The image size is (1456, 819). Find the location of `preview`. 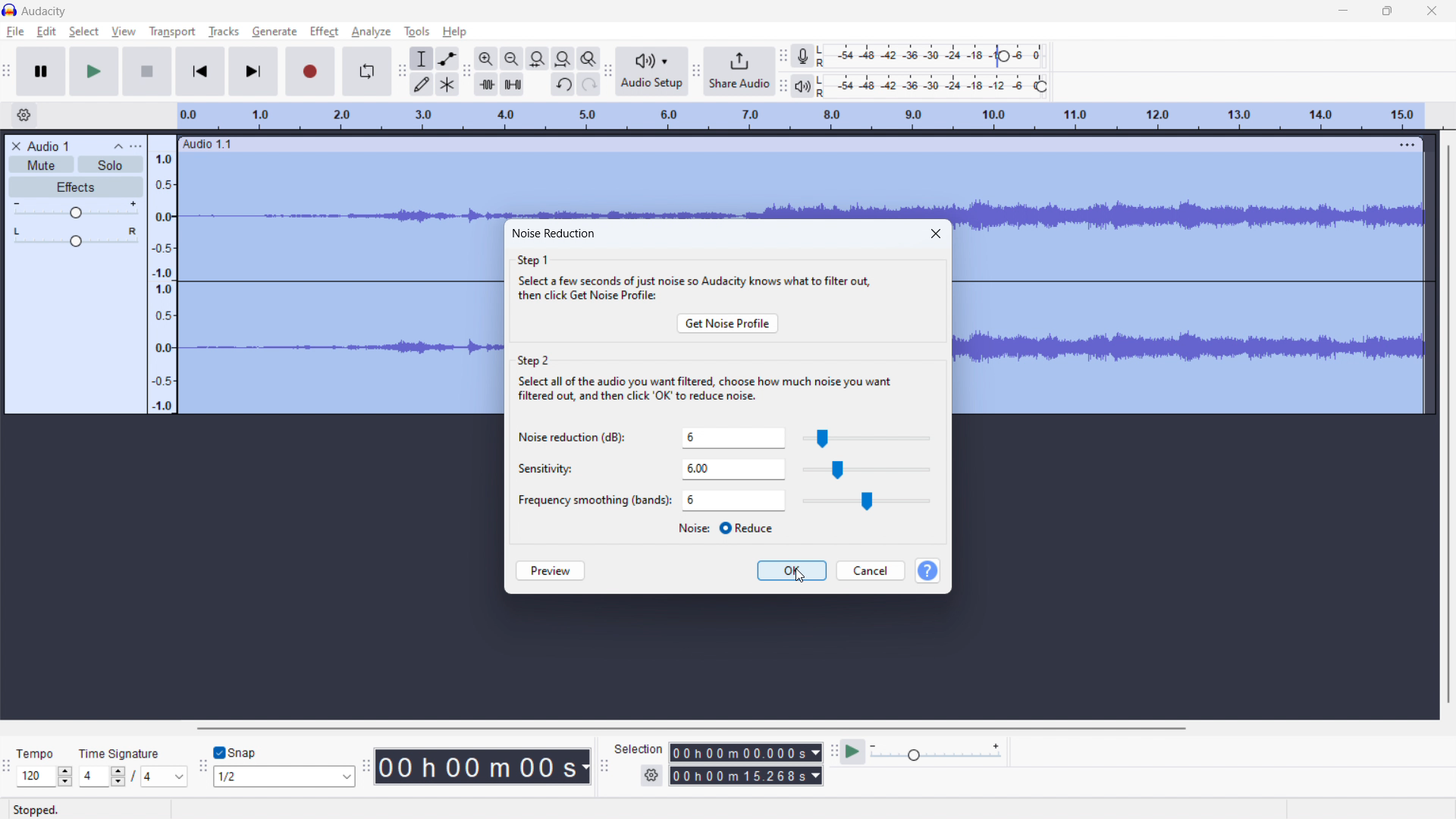

preview is located at coordinates (551, 572).